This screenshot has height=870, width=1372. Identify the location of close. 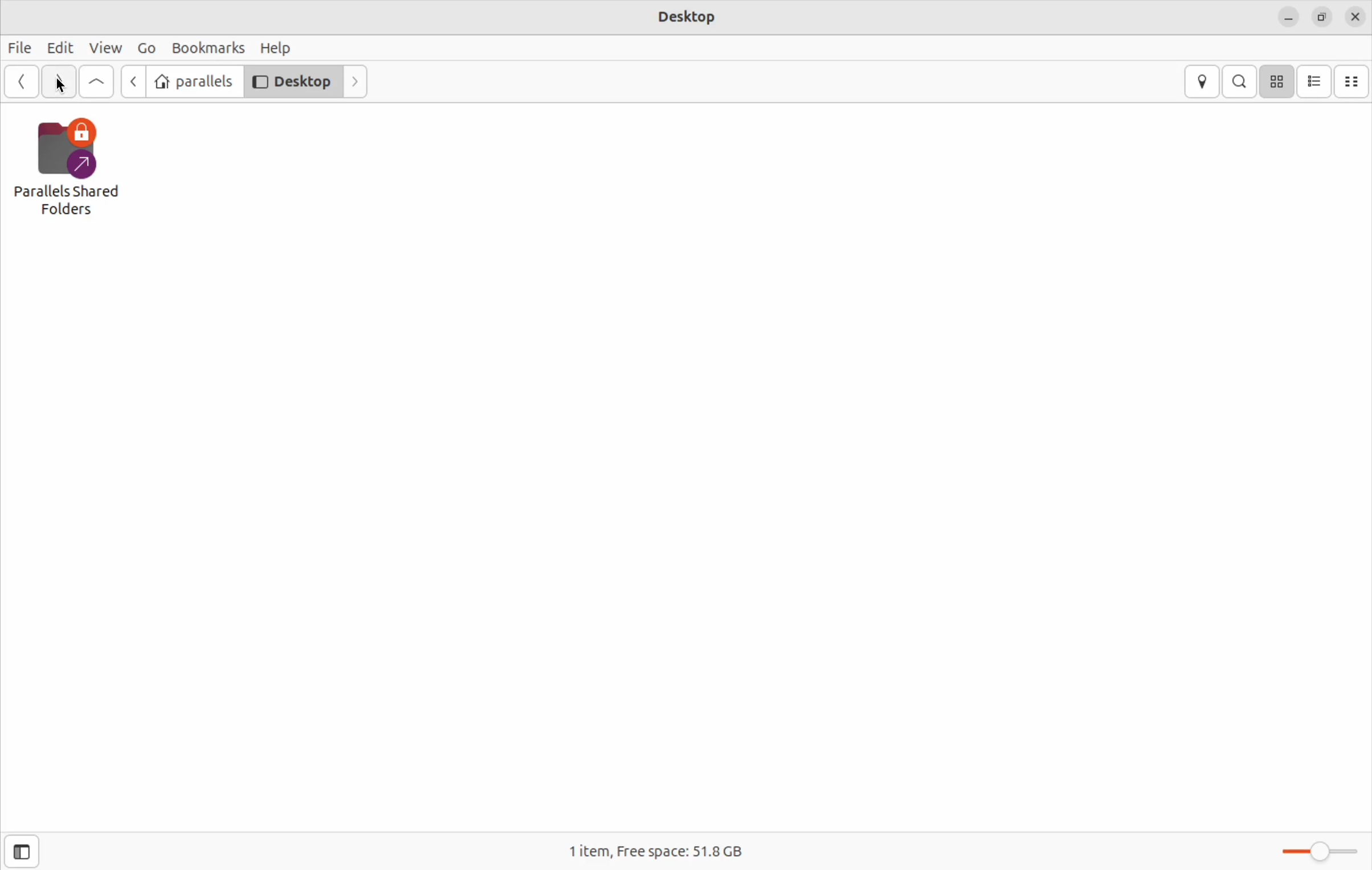
(1356, 16).